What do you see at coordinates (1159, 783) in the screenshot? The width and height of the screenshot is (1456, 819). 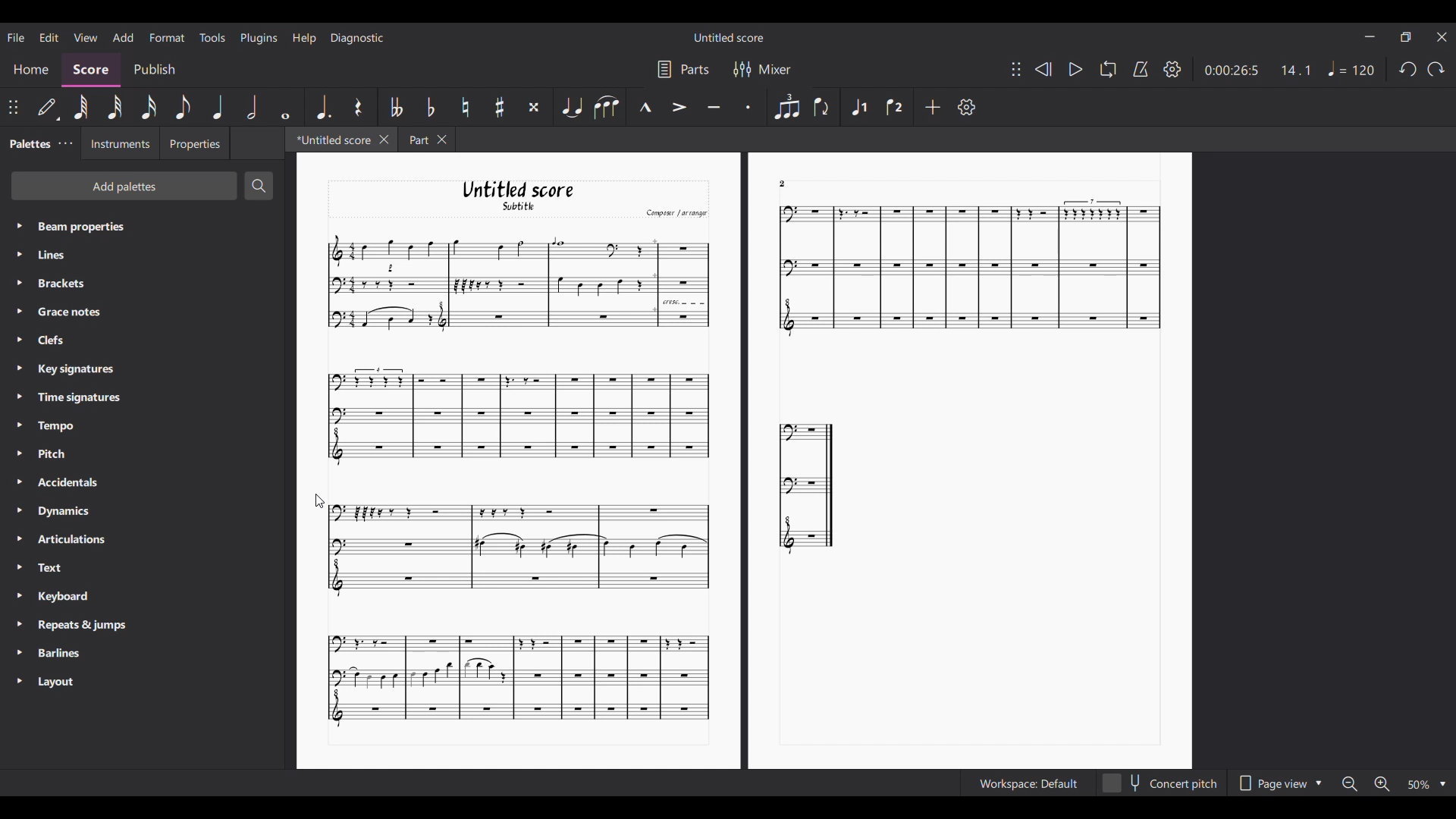 I see `Concert pitch` at bounding box center [1159, 783].